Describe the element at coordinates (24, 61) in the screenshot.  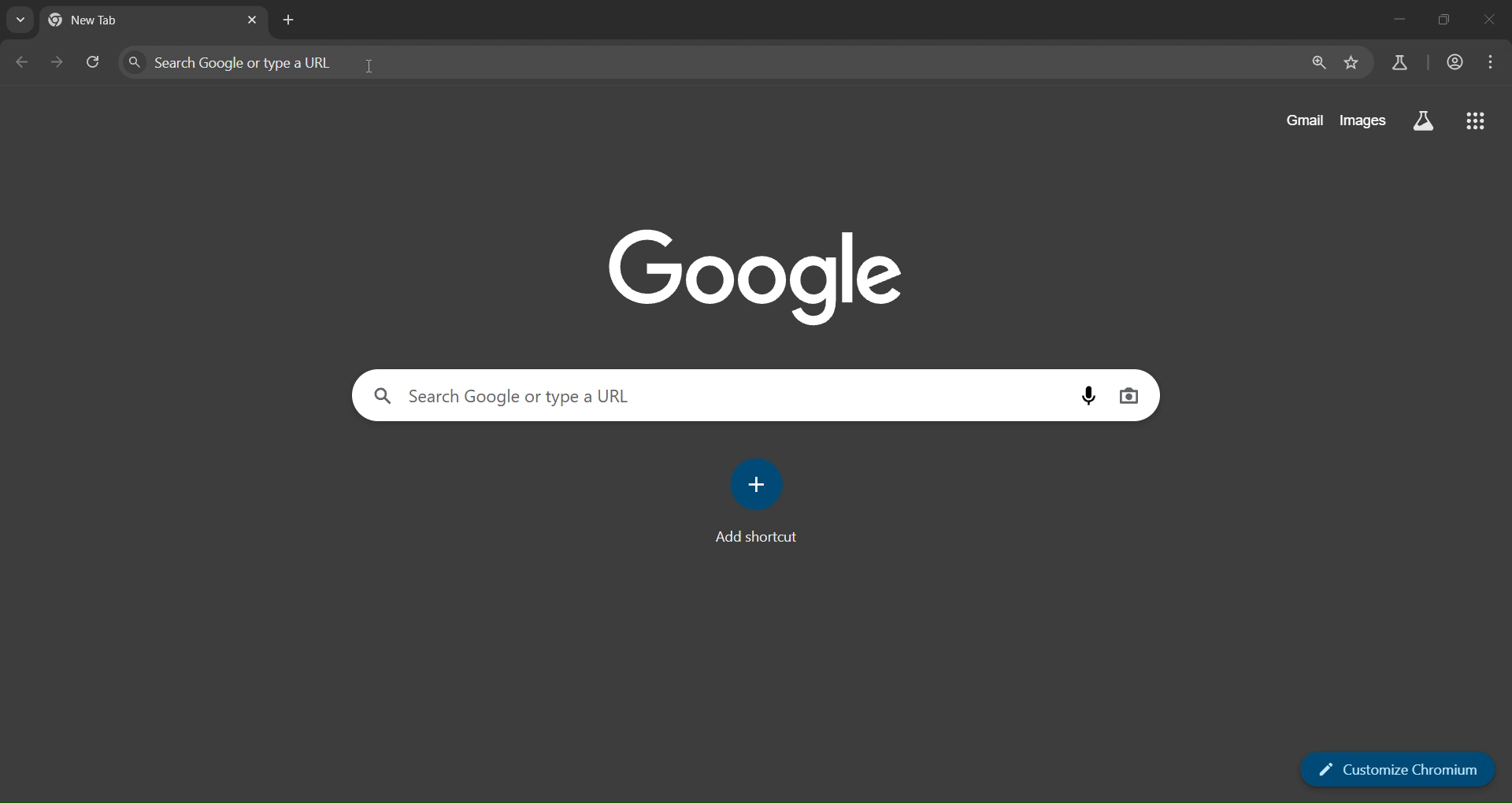
I see `go back one page` at that location.